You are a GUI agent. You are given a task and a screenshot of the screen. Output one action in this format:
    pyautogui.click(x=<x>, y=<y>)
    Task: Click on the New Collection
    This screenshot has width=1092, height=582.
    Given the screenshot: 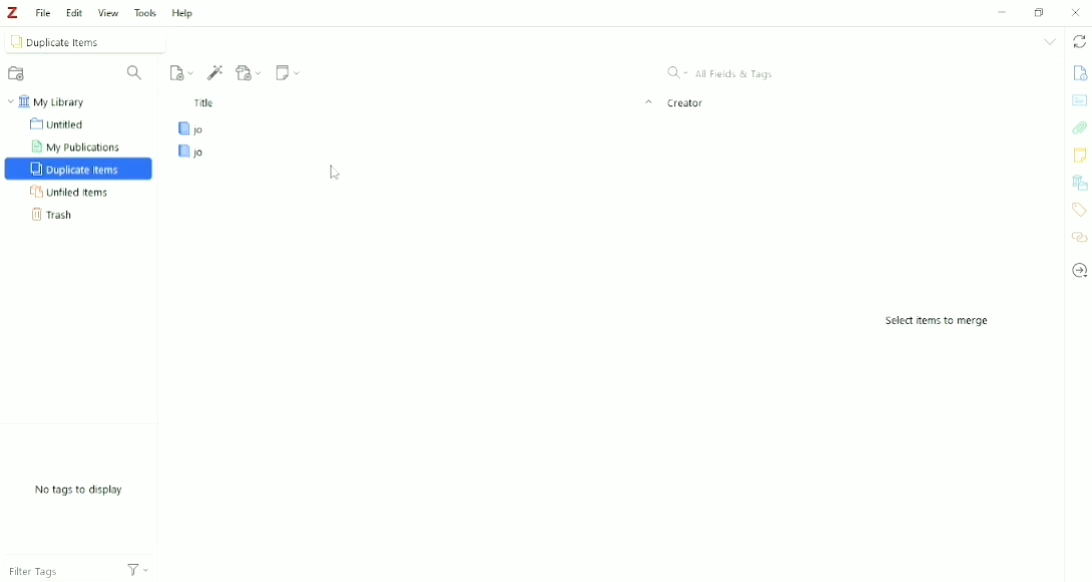 What is the action you would take?
    pyautogui.click(x=18, y=74)
    